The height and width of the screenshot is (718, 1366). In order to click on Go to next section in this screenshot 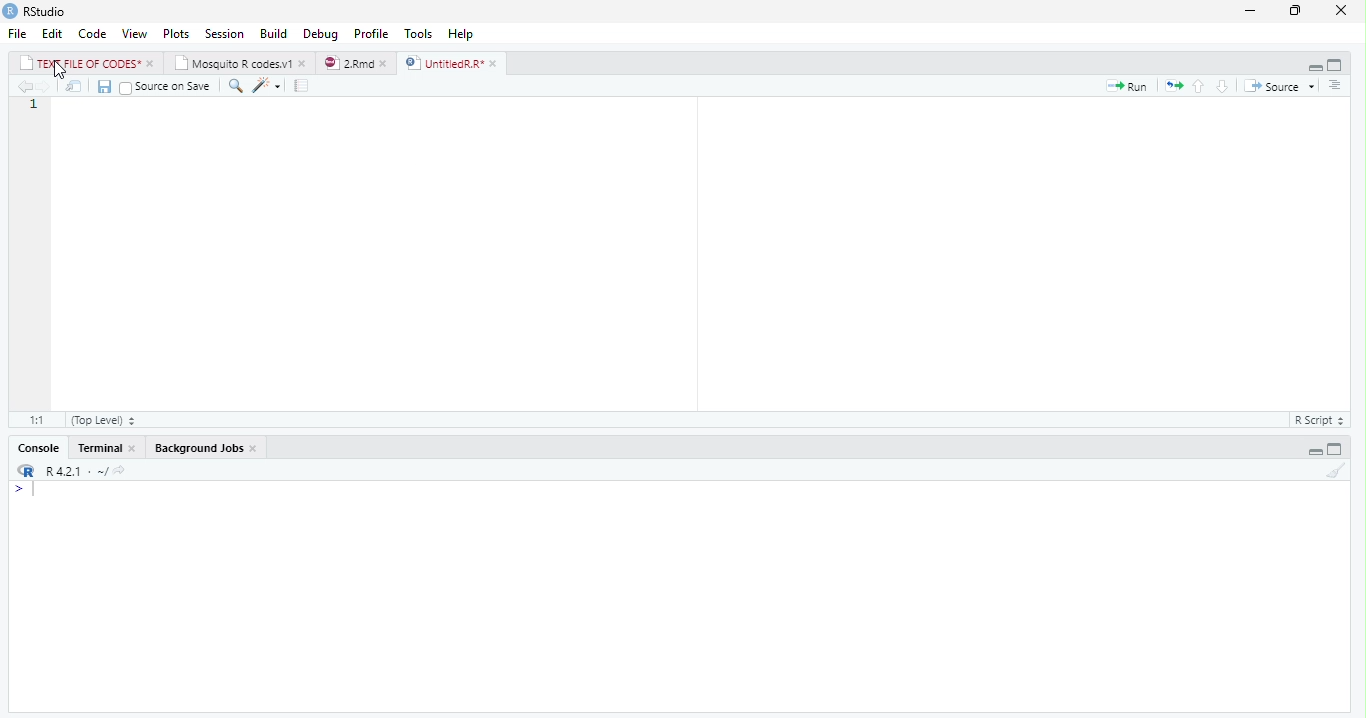, I will do `click(1222, 86)`.